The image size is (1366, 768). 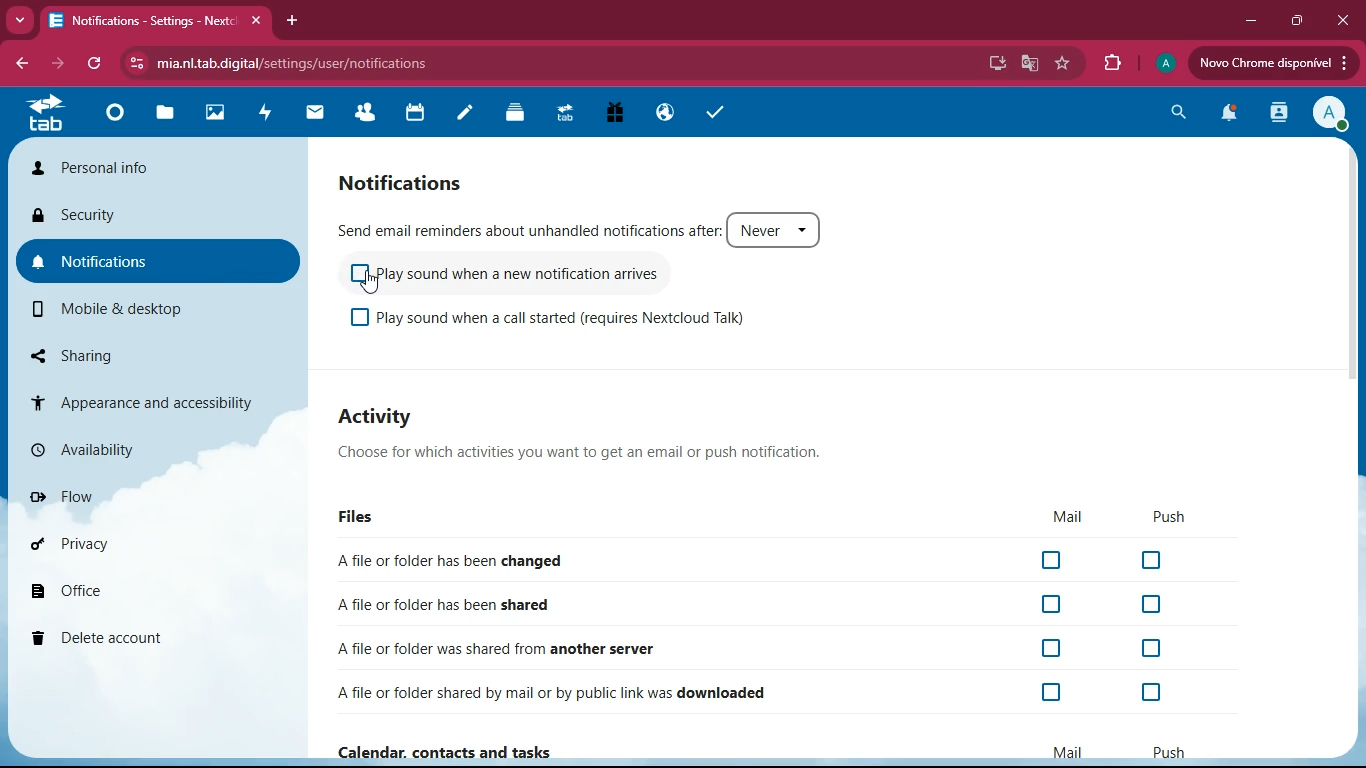 What do you see at coordinates (1246, 22) in the screenshot?
I see `minimize` at bounding box center [1246, 22].